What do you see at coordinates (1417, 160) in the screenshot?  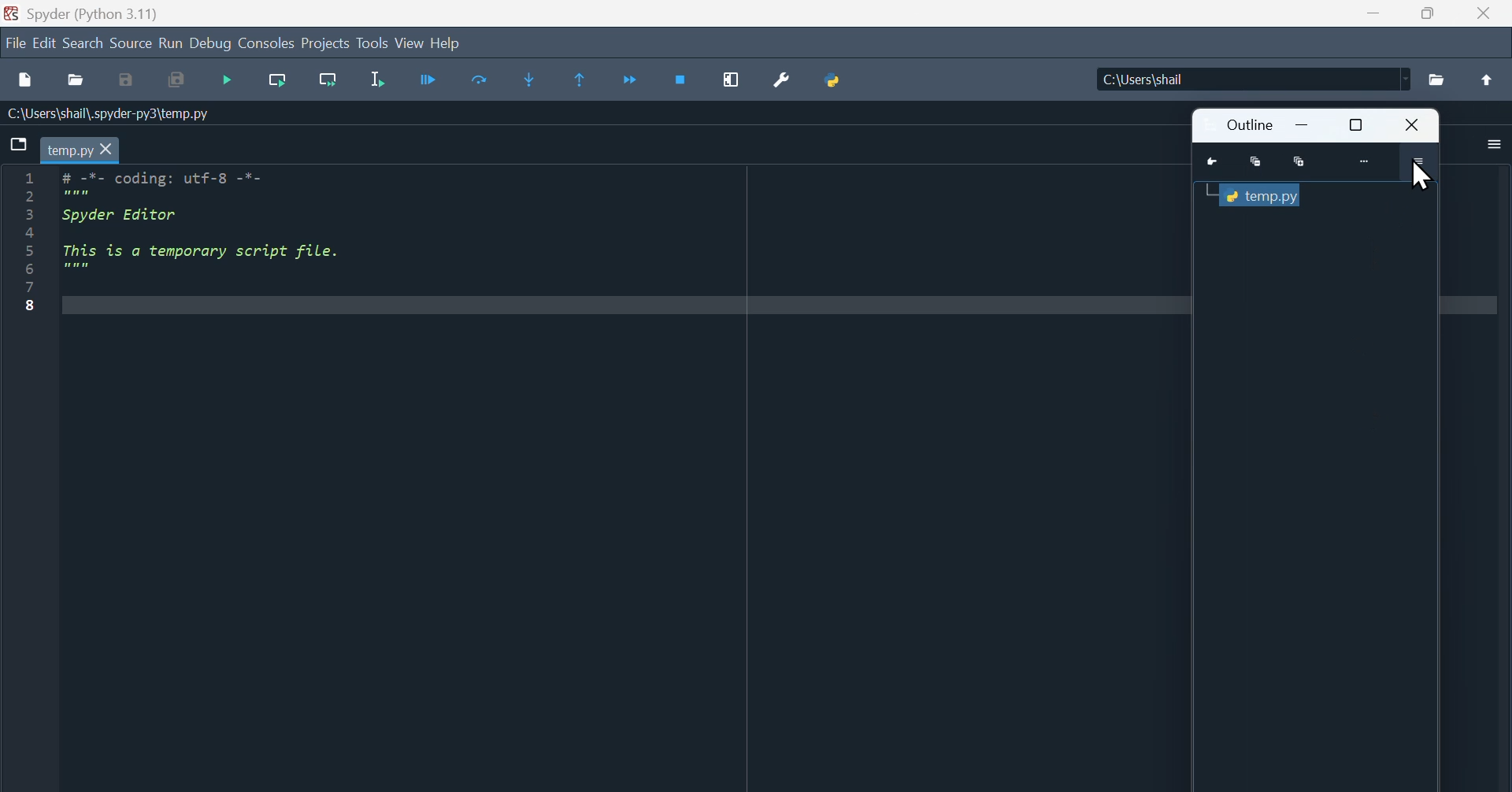 I see `More options` at bounding box center [1417, 160].